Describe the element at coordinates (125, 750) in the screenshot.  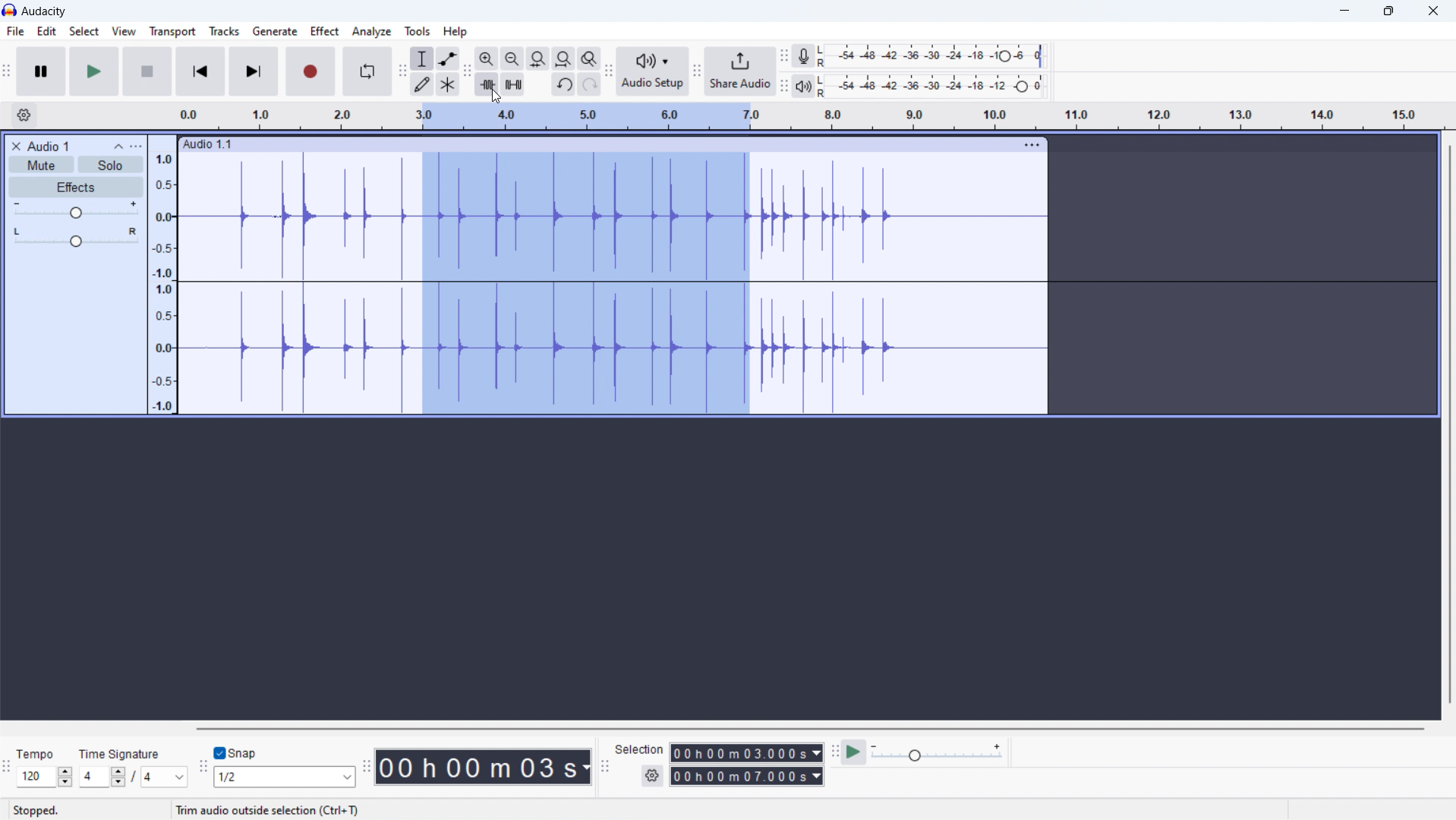
I see `Time Signature` at that location.